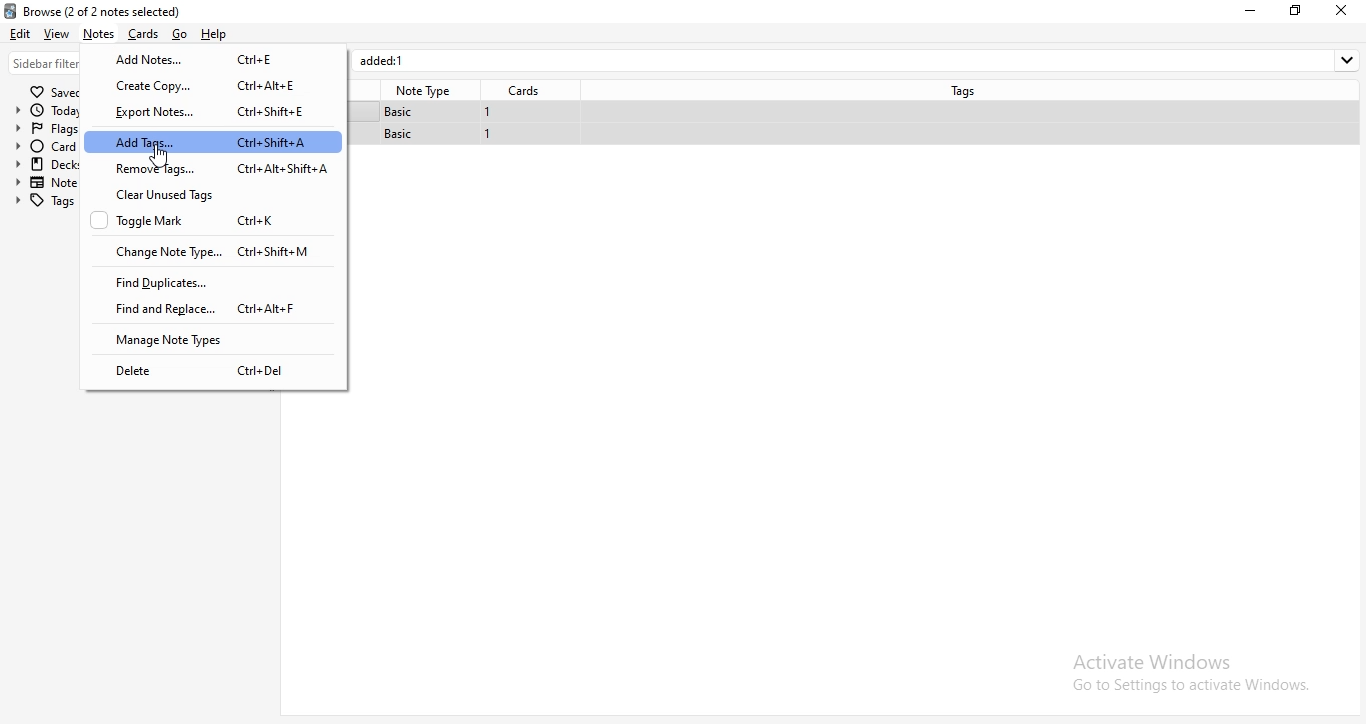 The width and height of the screenshot is (1366, 724). What do you see at coordinates (207, 312) in the screenshot?
I see `find and replace` at bounding box center [207, 312].